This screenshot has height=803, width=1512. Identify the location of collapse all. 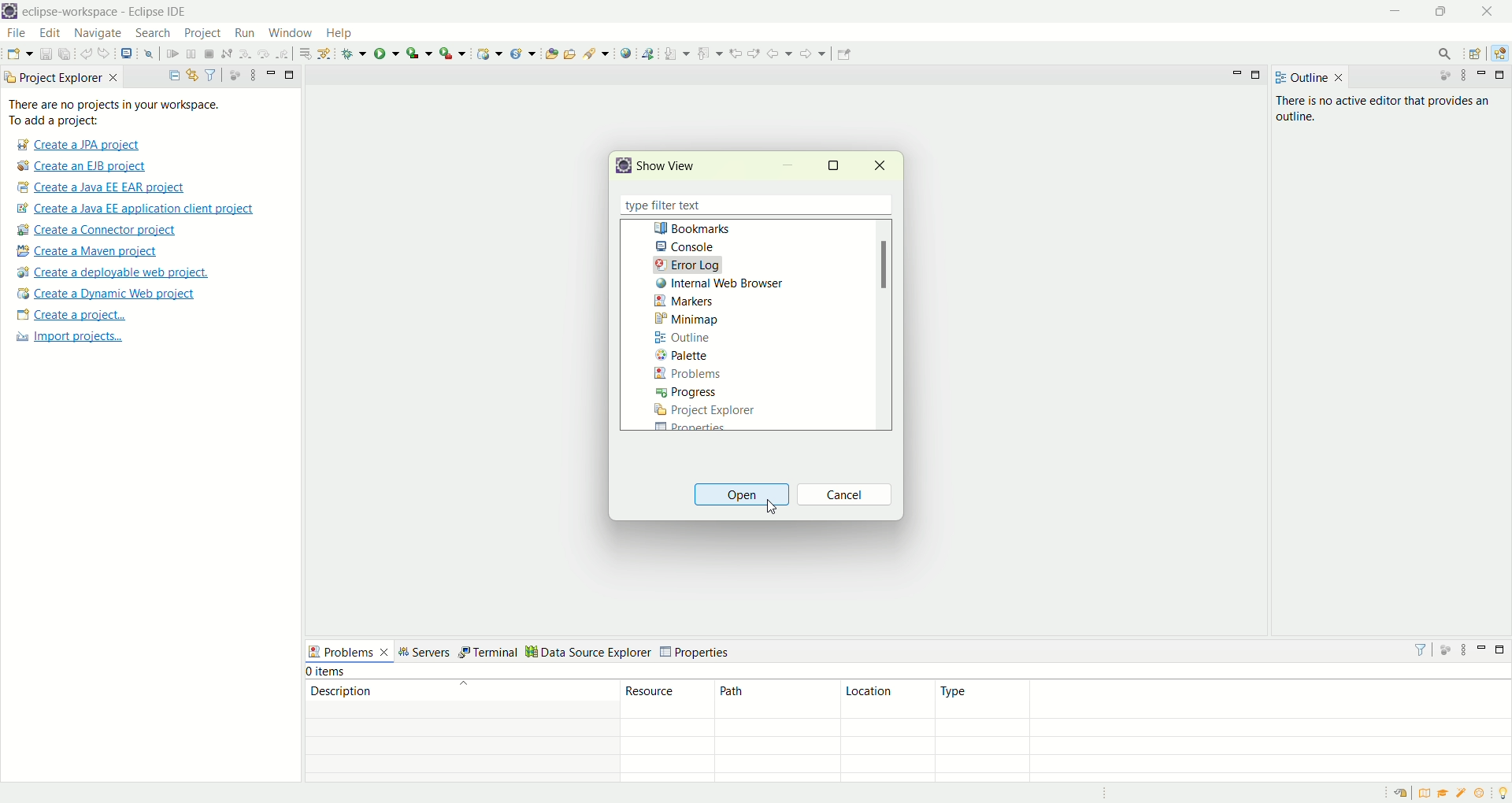
(172, 73).